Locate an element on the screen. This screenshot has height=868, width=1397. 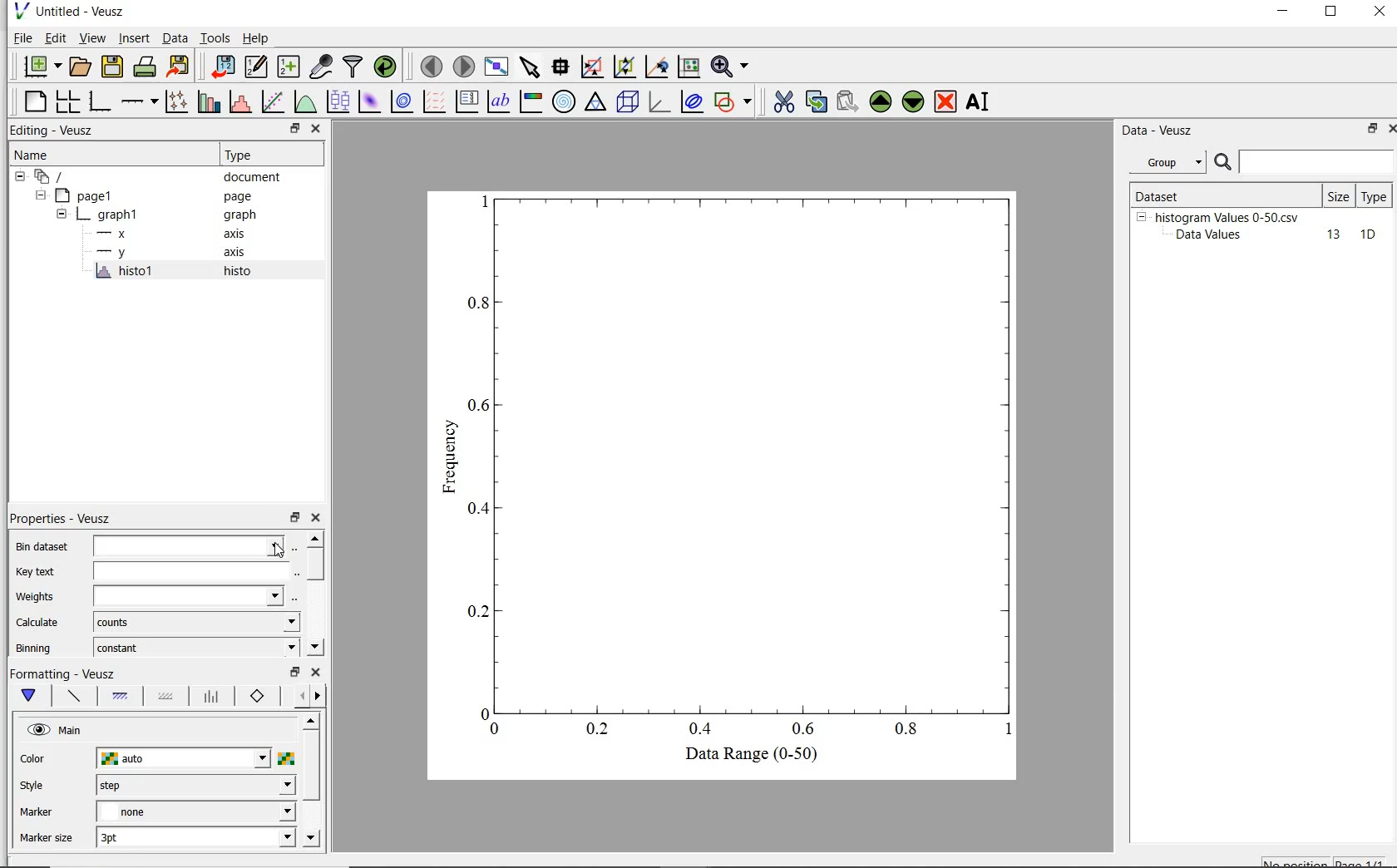
Type is located at coordinates (268, 155).